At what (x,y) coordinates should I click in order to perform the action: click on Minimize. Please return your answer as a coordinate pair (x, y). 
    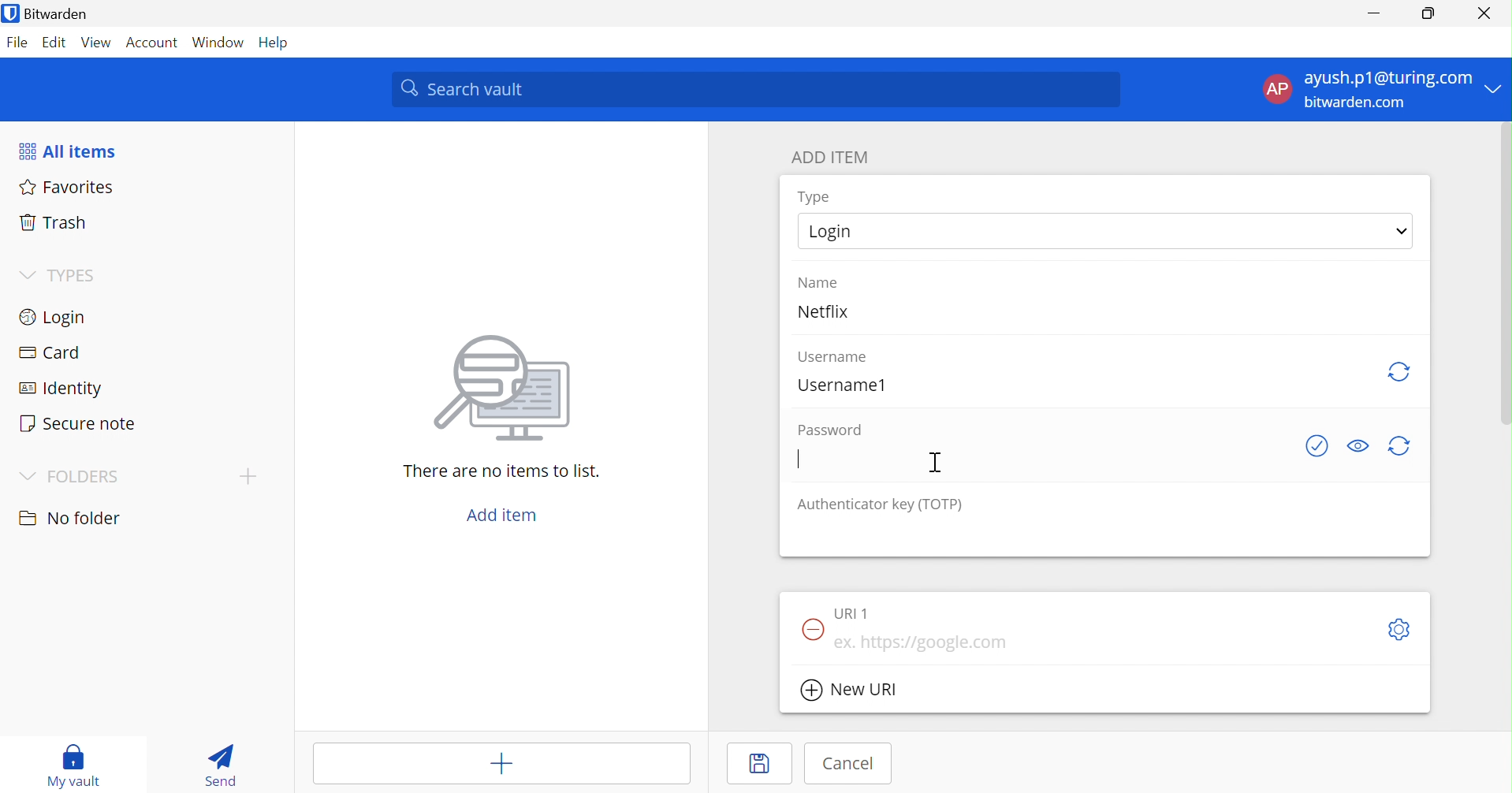
    Looking at the image, I should click on (1379, 14).